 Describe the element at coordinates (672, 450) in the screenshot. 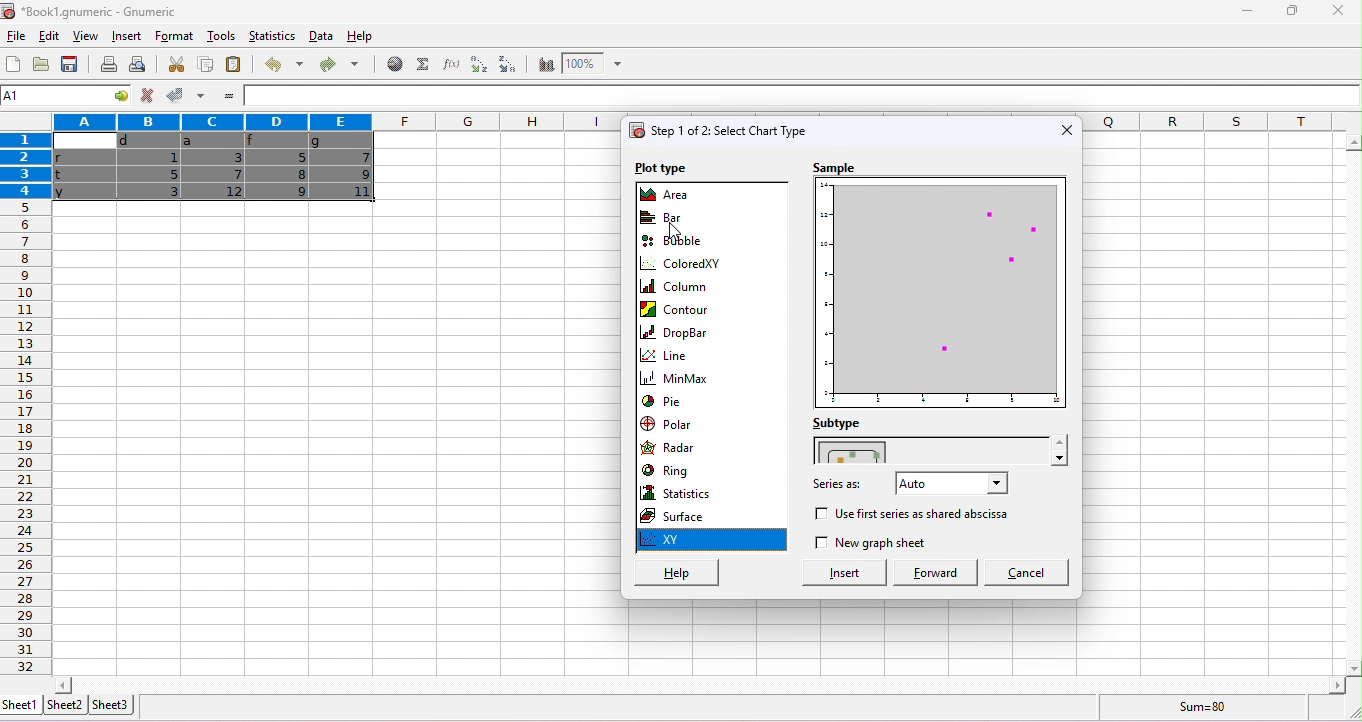

I see `radar` at that location.